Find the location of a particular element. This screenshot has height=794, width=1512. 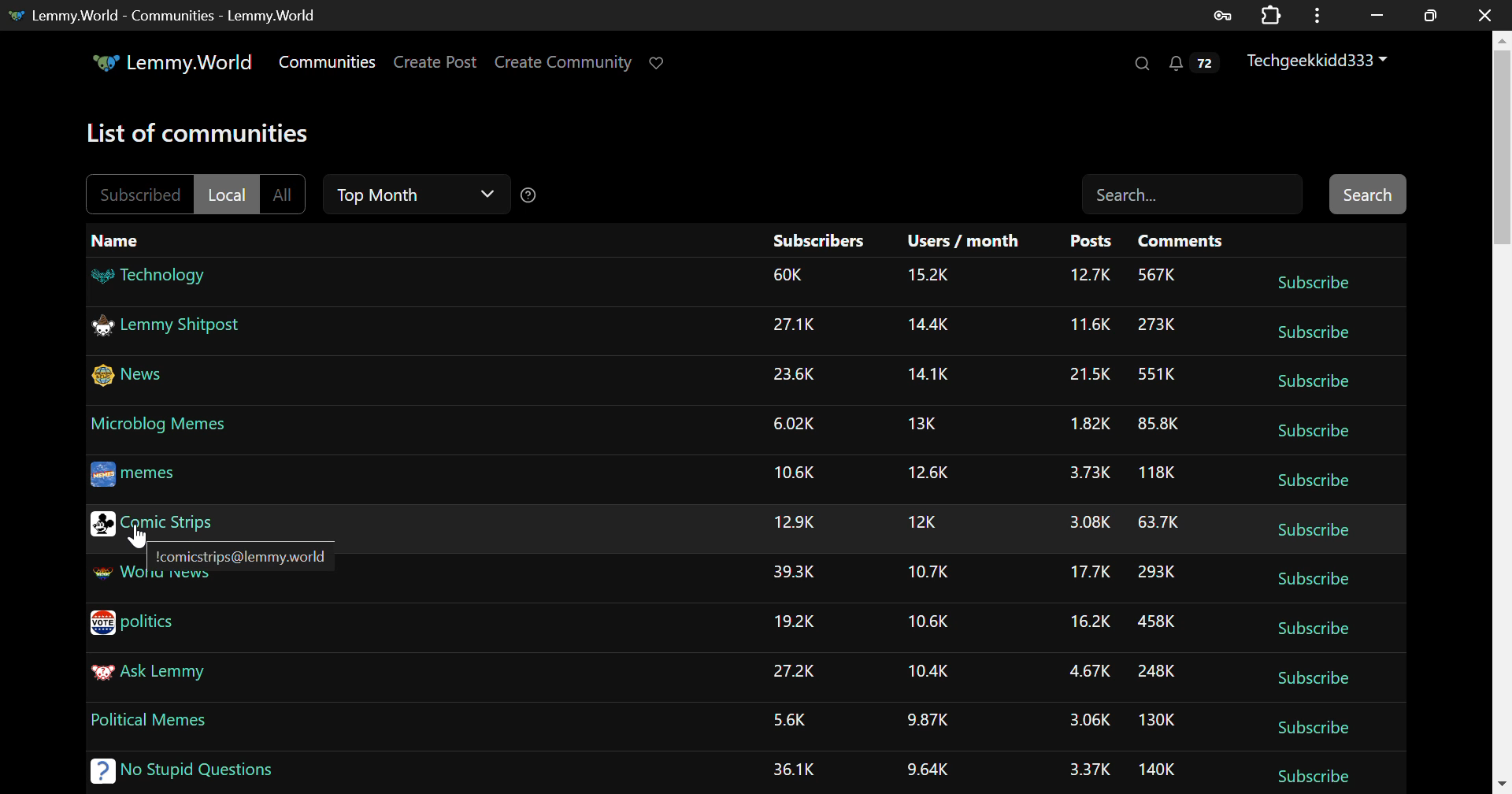

Amount is located at coordinates (1157, 720).